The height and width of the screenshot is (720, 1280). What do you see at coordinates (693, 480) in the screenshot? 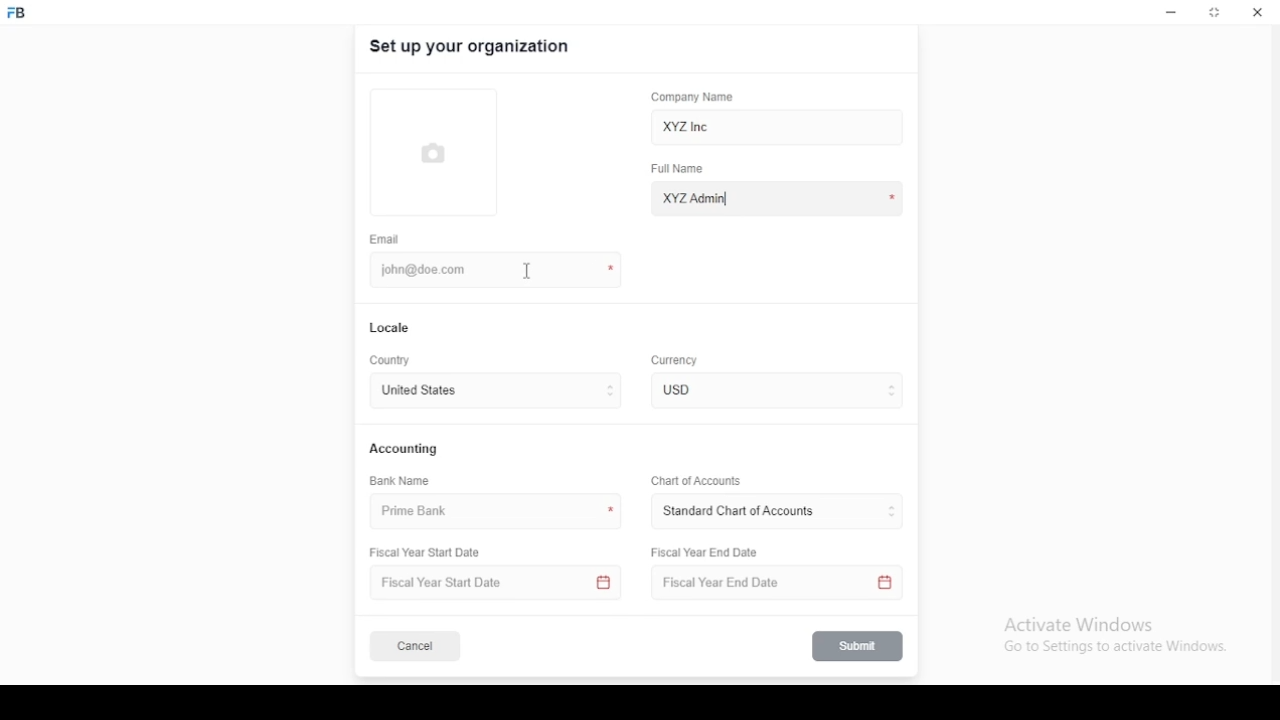
I see `Chart of Accounts` at bounding box center [693, 480].